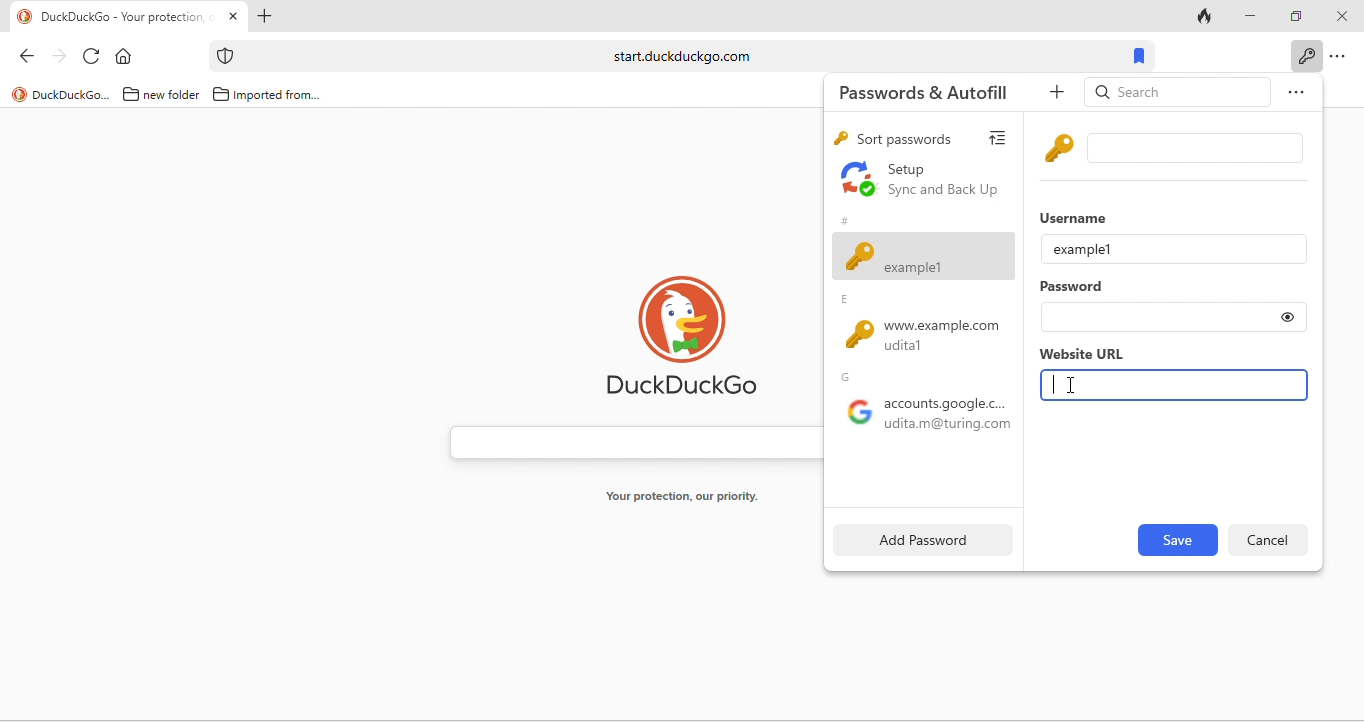  Describe the element at coordinates (1178, 94) in the screenshot. I see `search` at that location.